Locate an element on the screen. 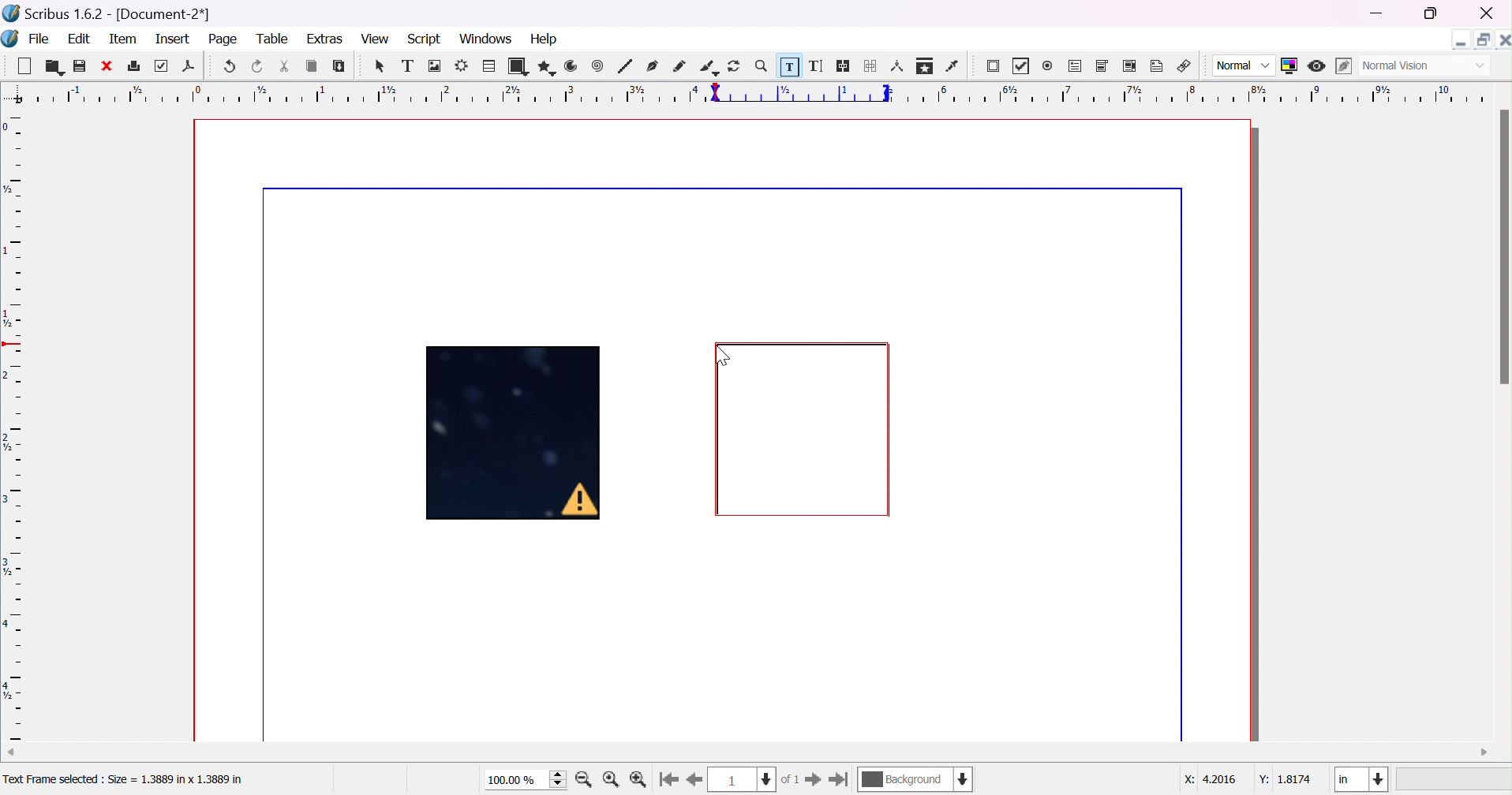  preview mode is located at coordinates (1319, 66).